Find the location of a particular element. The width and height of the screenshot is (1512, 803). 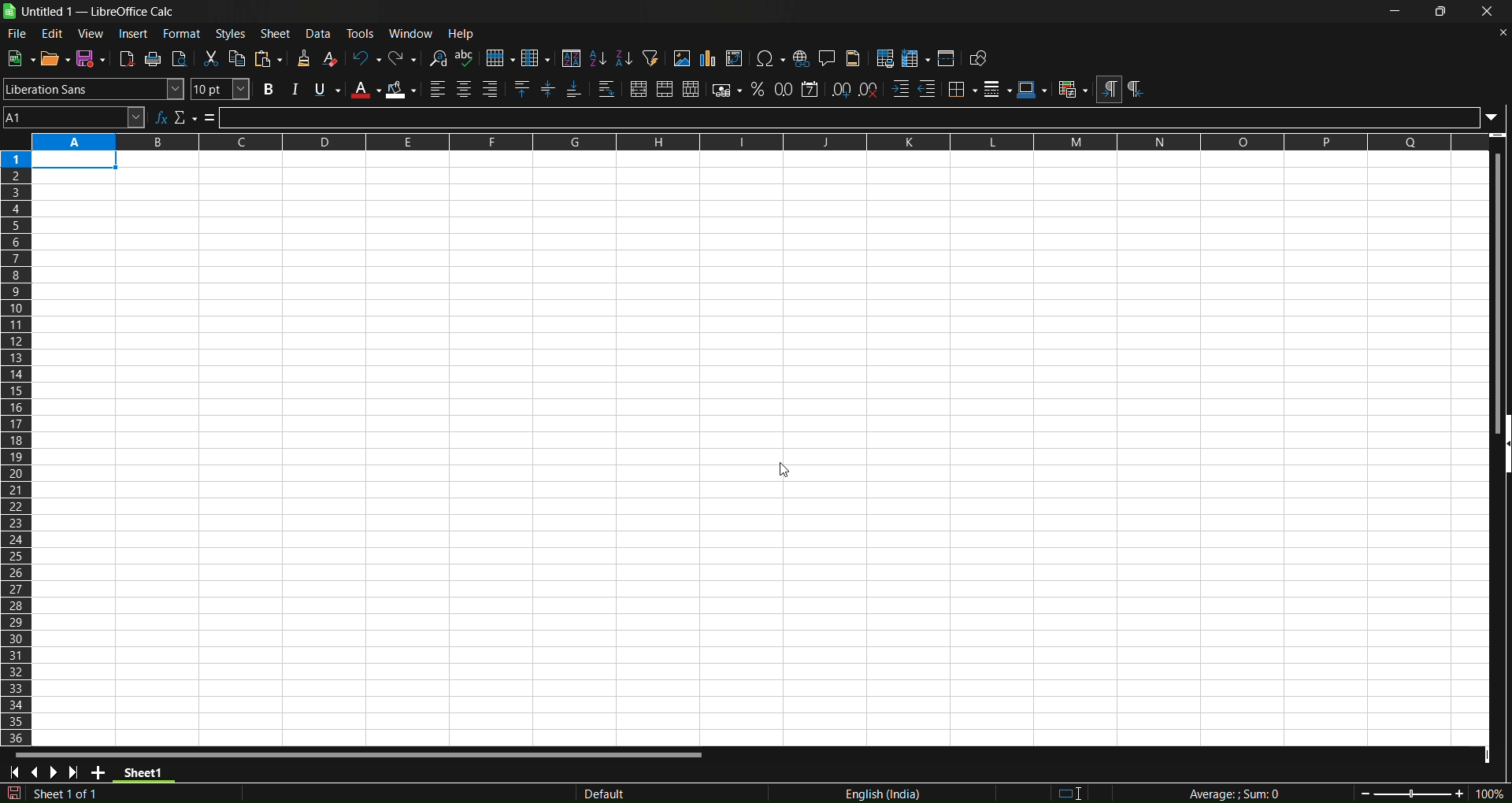

font name is located at coordinates (94, 88).